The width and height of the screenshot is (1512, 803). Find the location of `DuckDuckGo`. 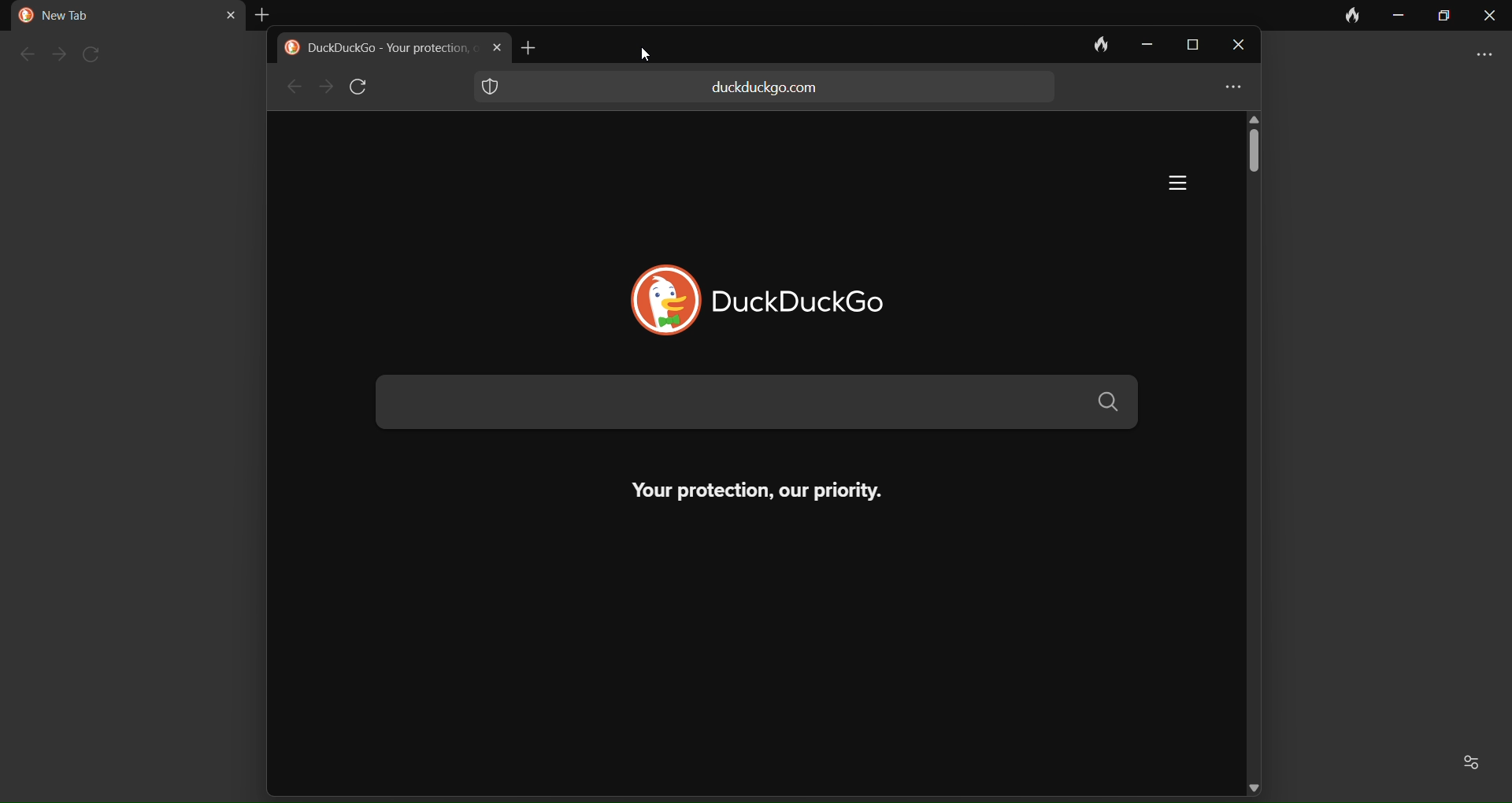

DuckDuckGo is located at coordinates (829, 300).